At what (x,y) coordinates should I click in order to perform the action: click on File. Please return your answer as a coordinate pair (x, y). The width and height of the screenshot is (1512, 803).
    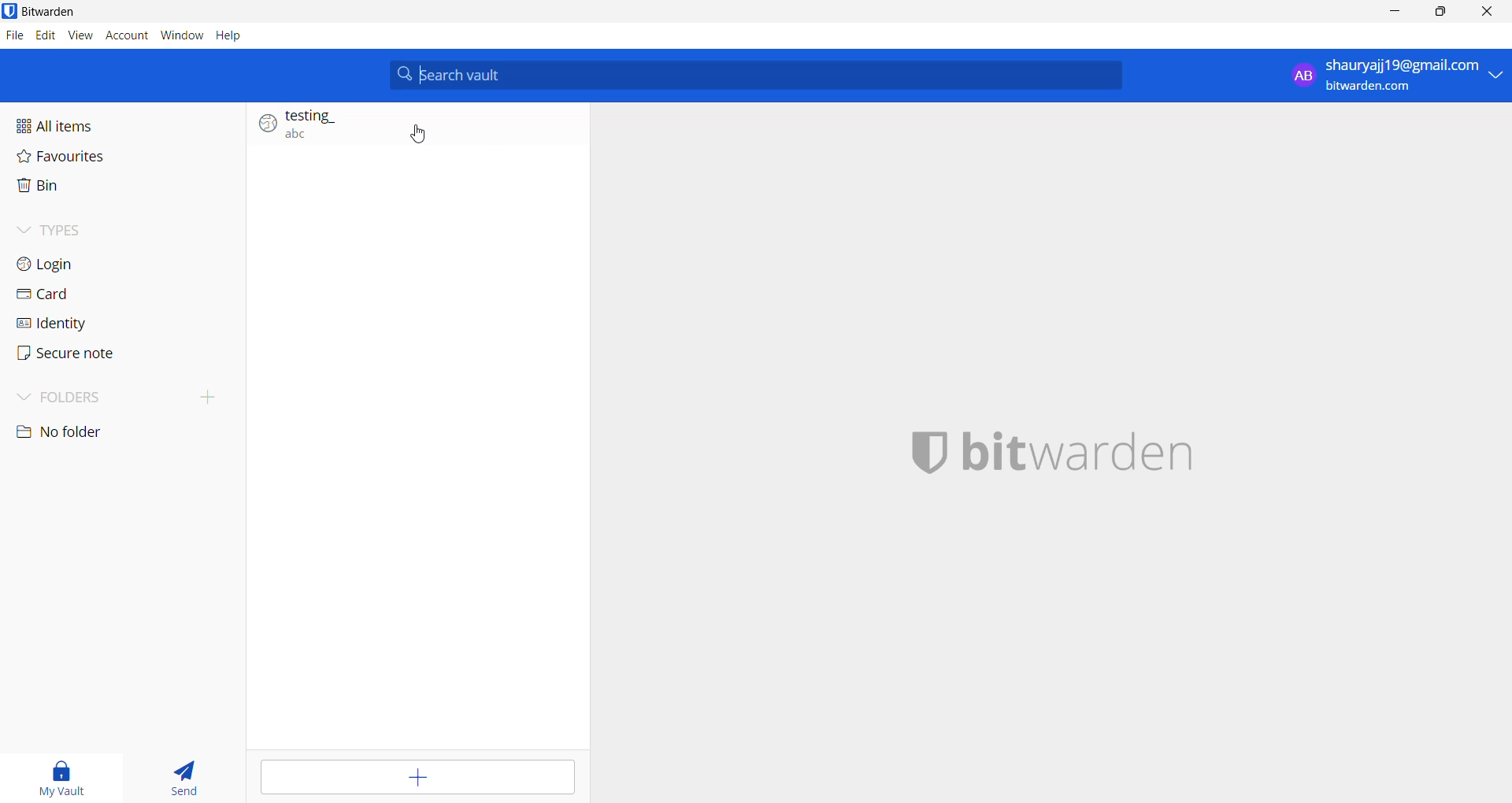
    Looking at the image, I should click on (15, 37).